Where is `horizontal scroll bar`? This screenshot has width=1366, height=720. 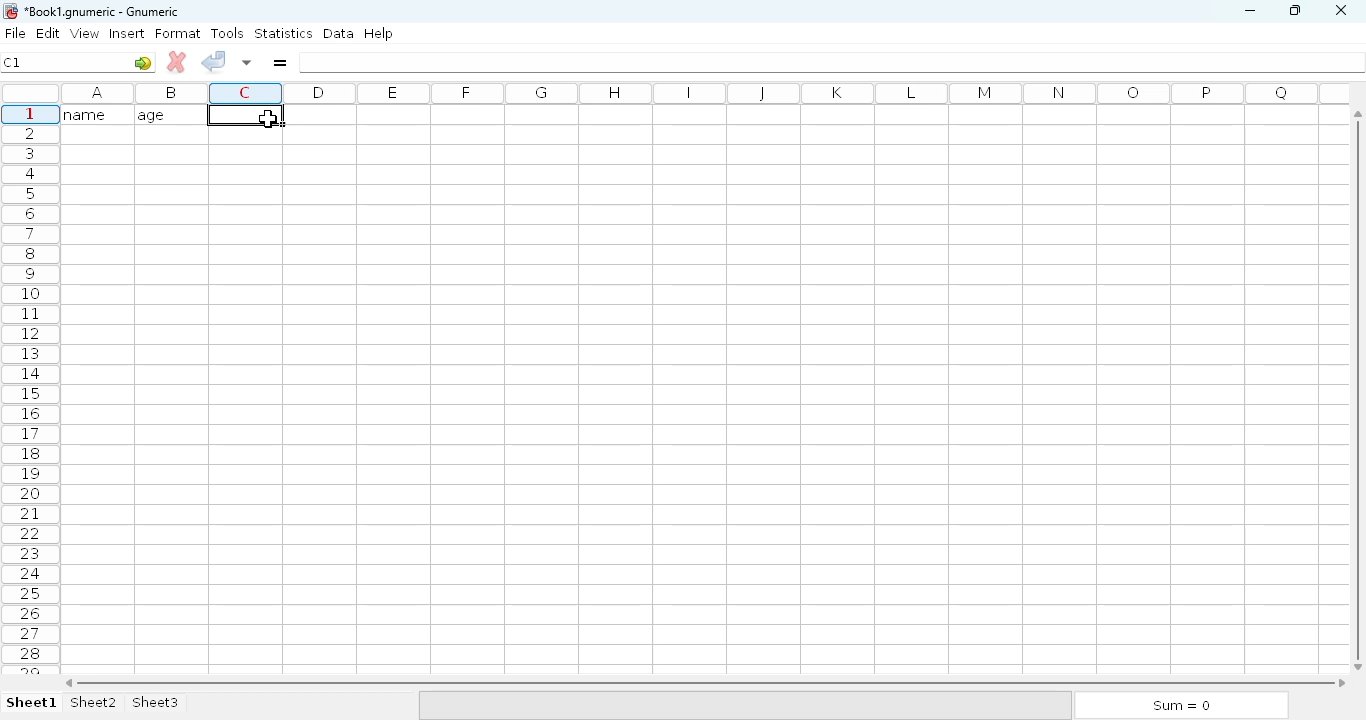
horizontal scroll bar is located at coordinates (705, 683).